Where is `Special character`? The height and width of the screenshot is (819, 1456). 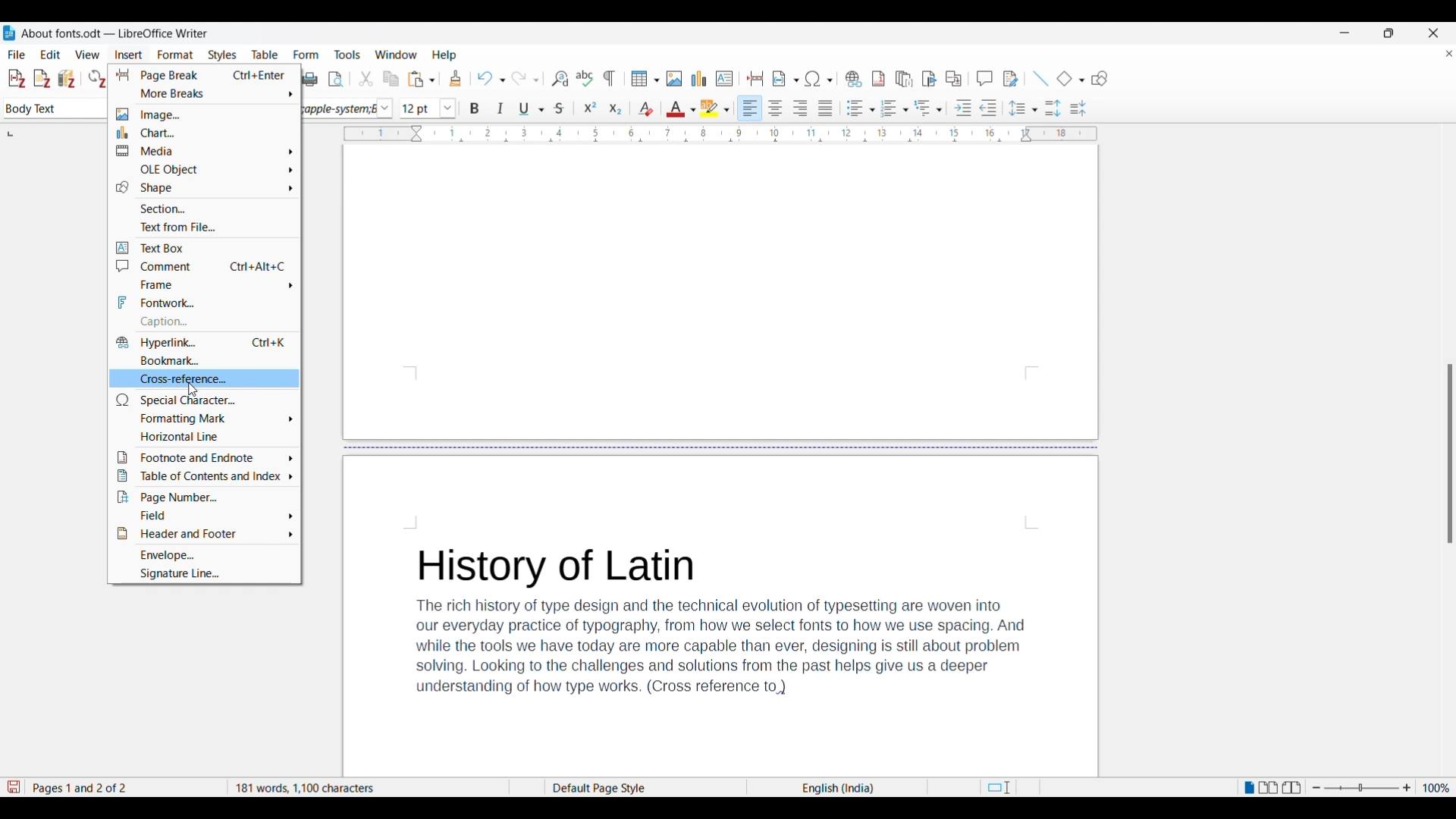 Special character is located at coordinates (204, 400).